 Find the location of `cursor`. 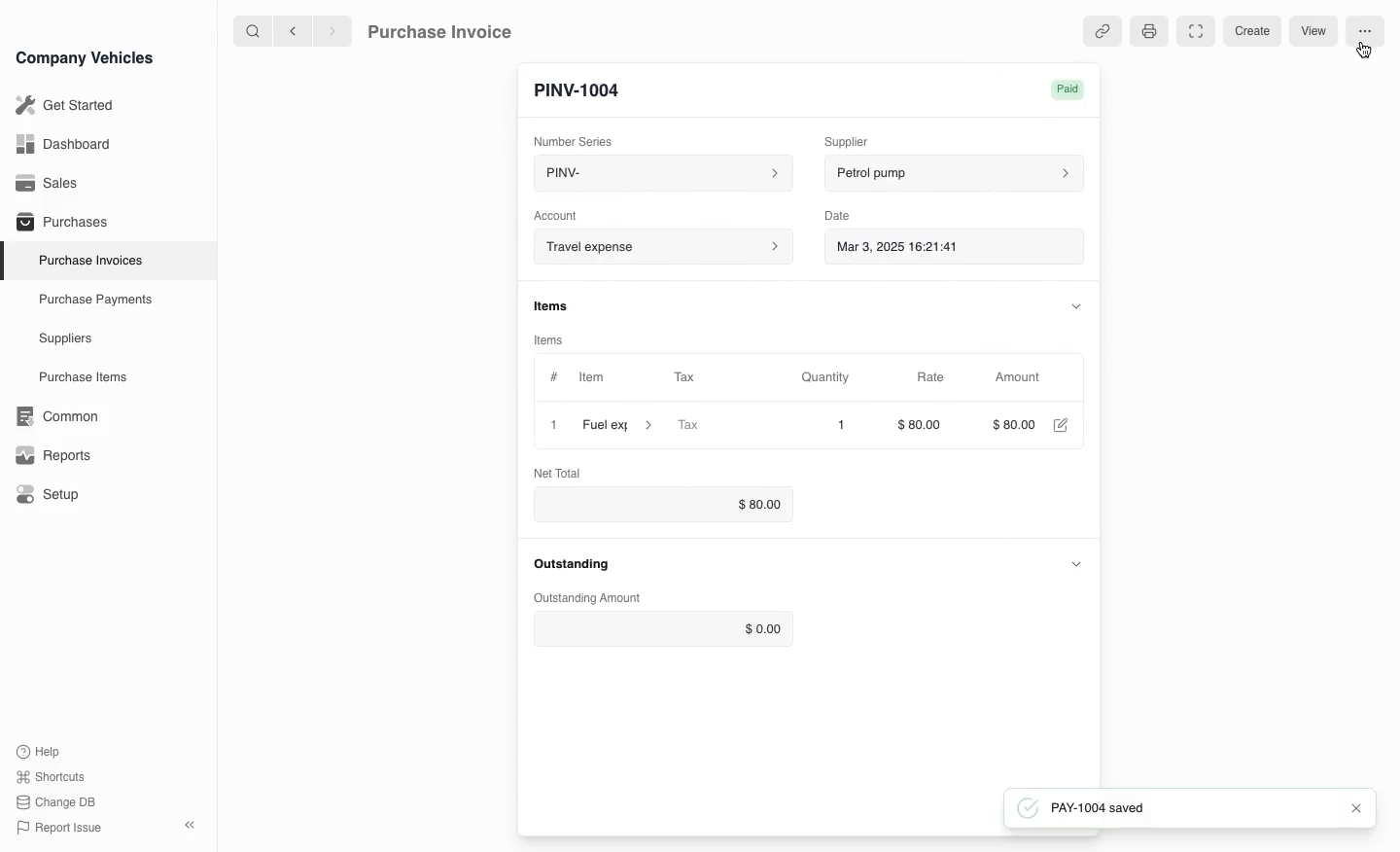

cursor is located at coordinates (1363, 54).